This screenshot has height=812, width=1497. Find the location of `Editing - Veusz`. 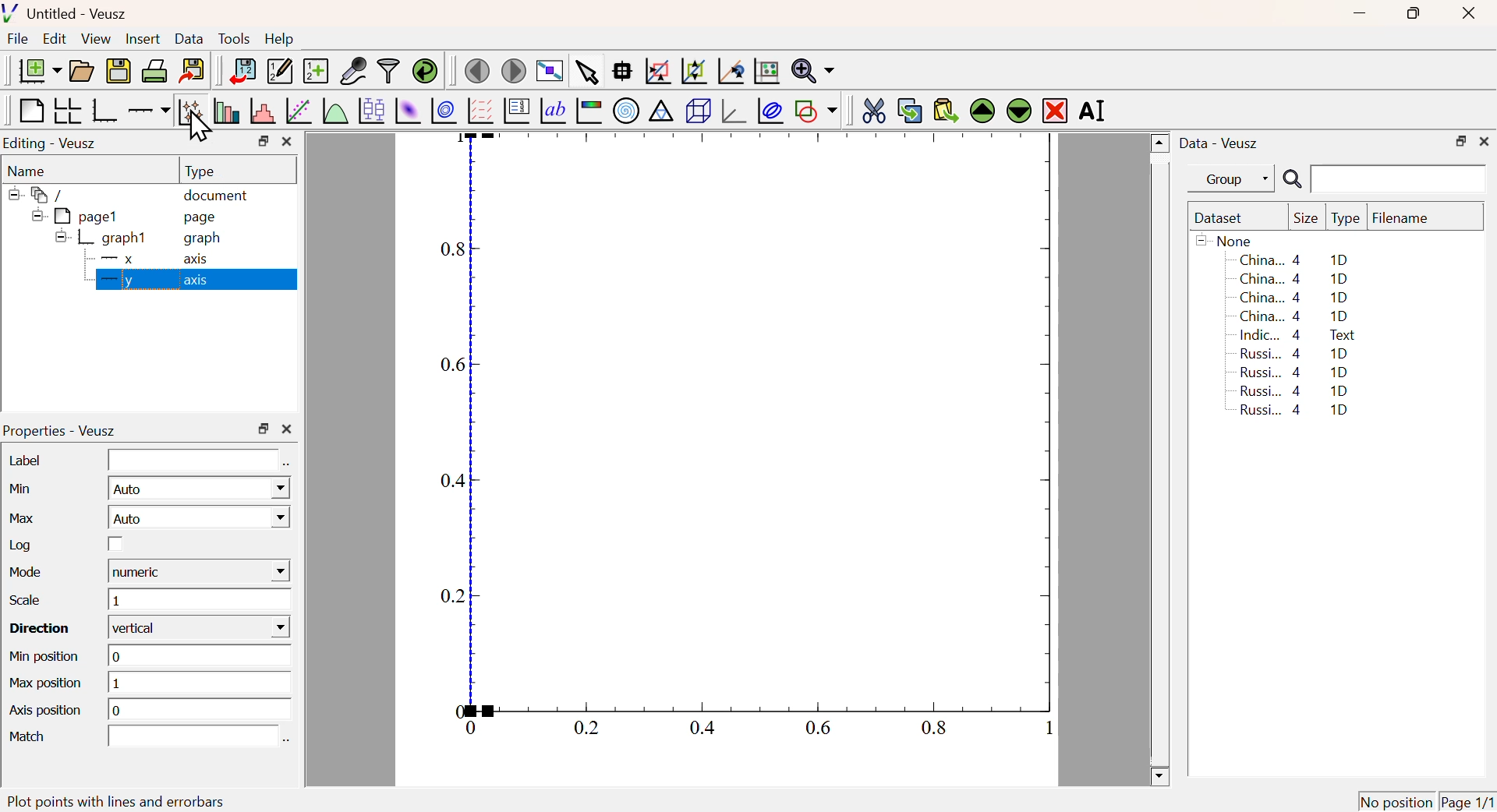

Editing - Veusz is located at coordinates (52, 144).